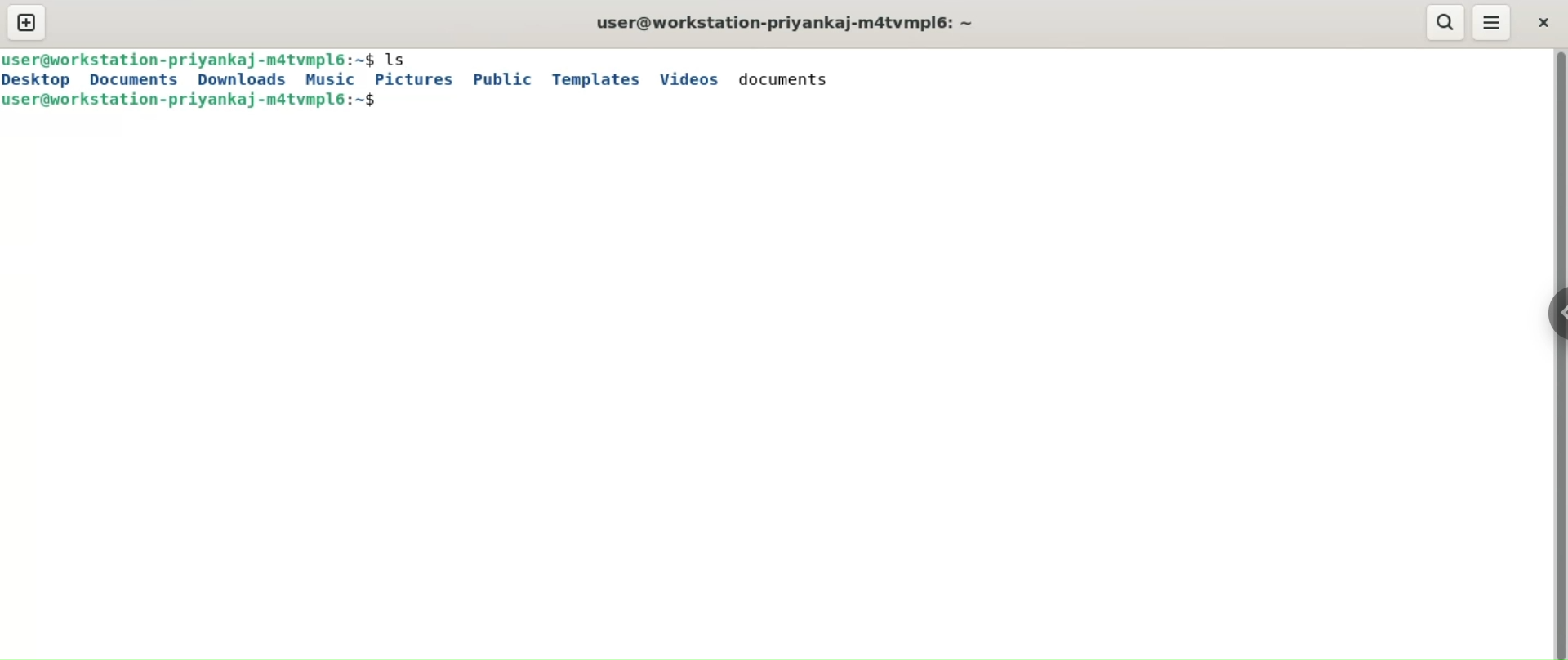 The image size is (1568, 660). What do you see at coordinates (240, 78) in the screenshot?
I see `downloads` at bounding box center [240, 78].